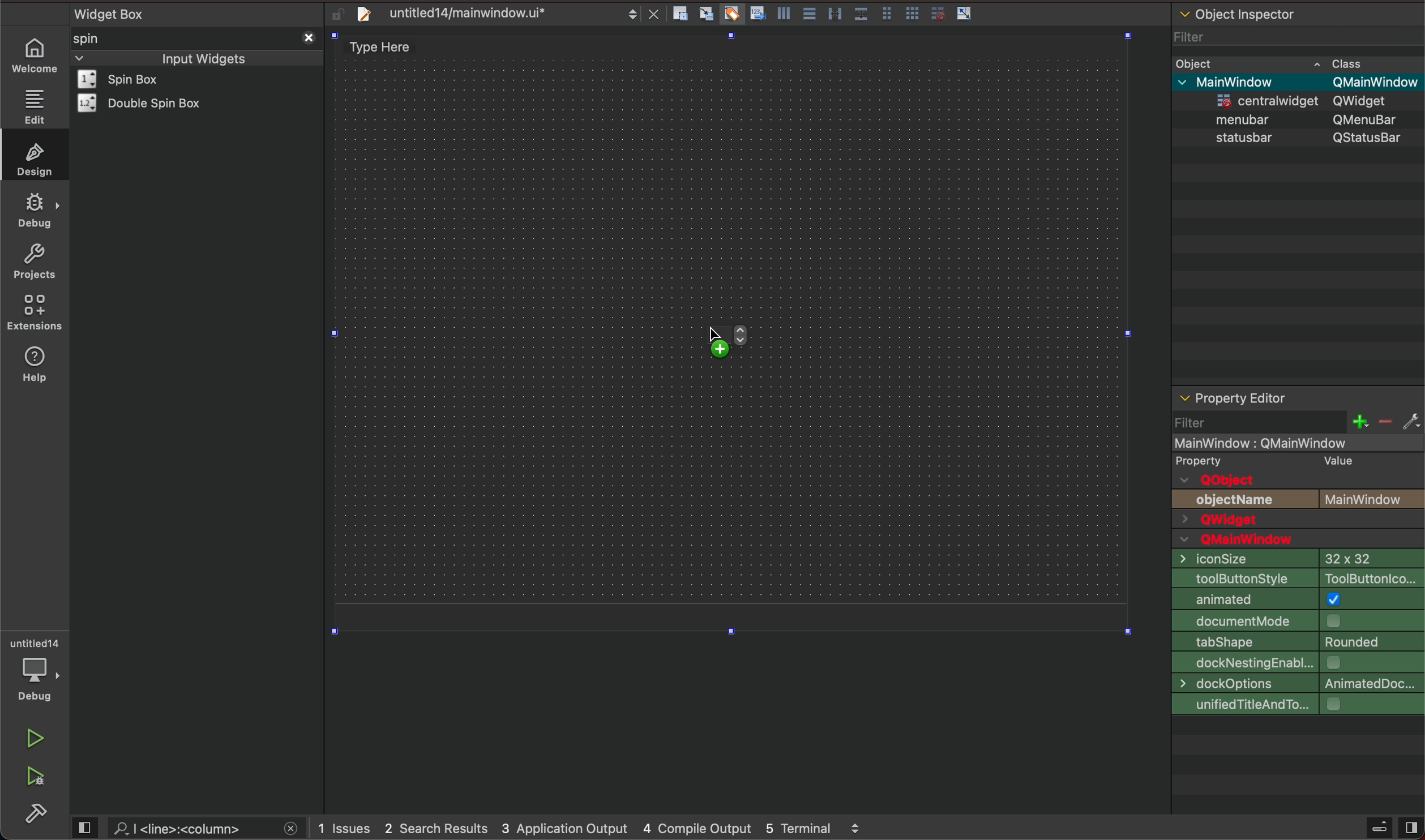 Image resolution: width=1425 pixels, height=840 pixels. Describe the element at coordinates (1248, 118) in the screenshot. I see `` at that location.